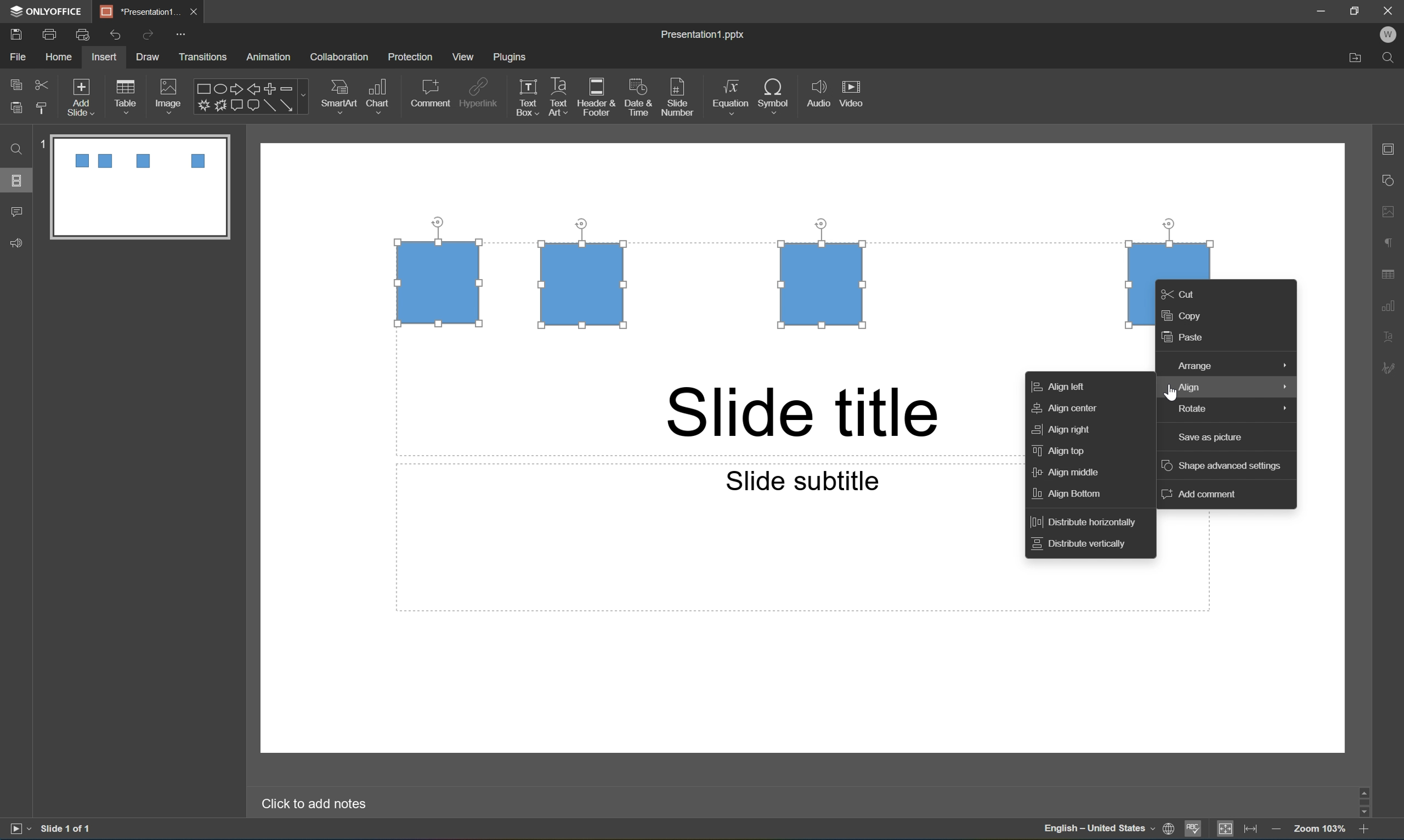  Describe the element at coordinates (412, 58) in the screenshot. I see `protection` at that location.